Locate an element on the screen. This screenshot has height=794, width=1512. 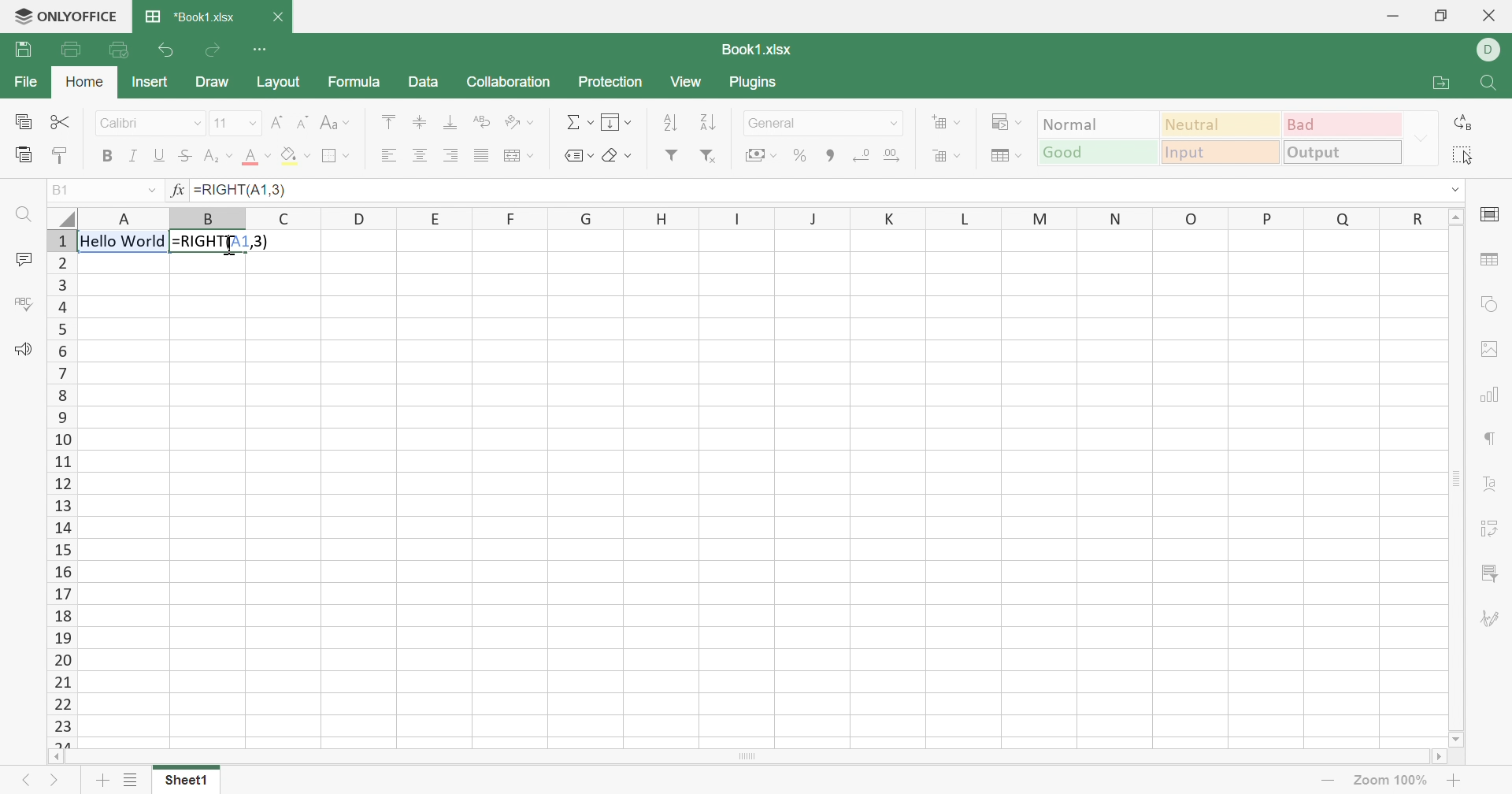
Formula is located at coordinates (350, 82).